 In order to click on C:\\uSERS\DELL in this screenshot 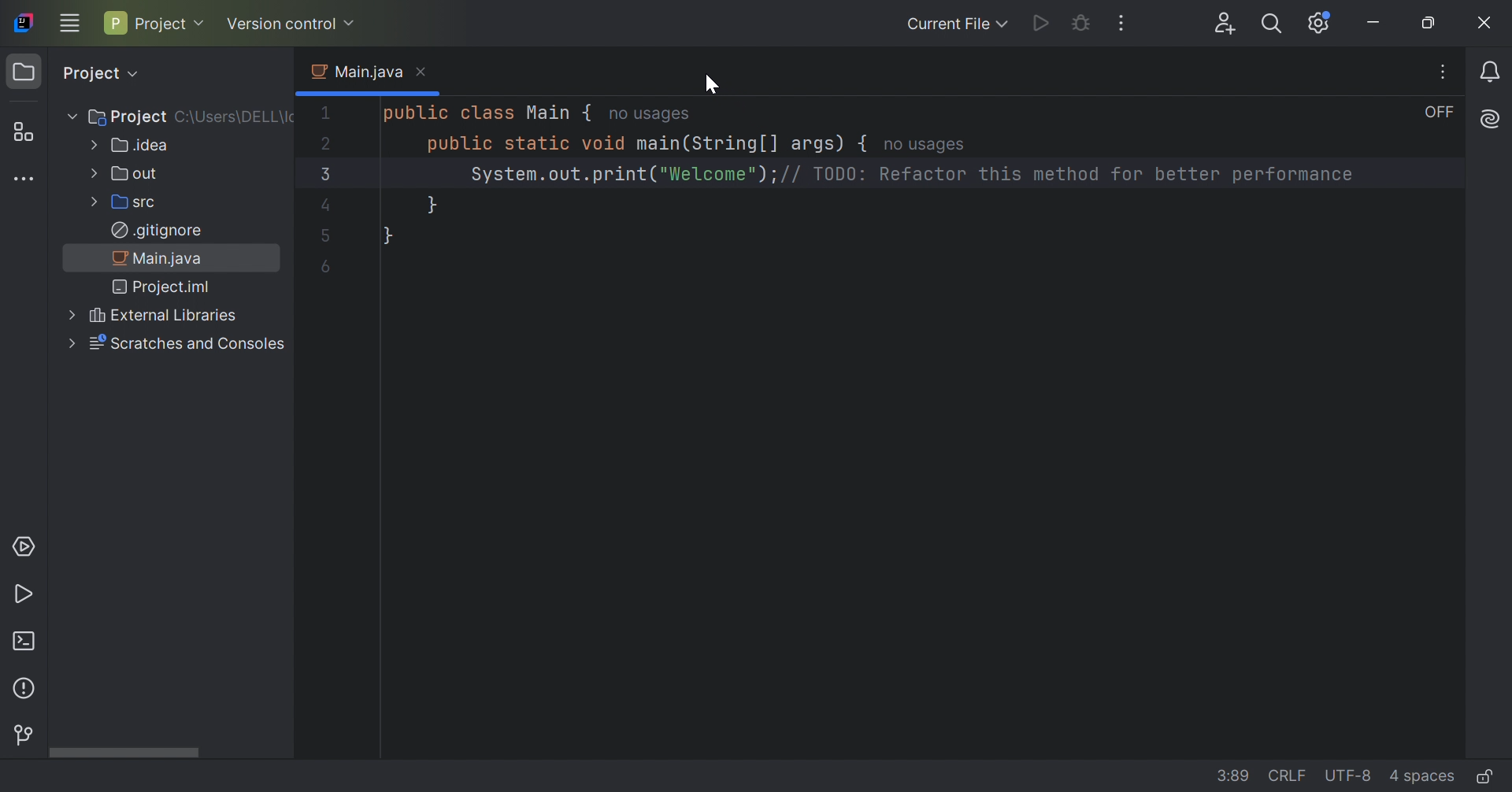, I will do `click(236, 115)`.